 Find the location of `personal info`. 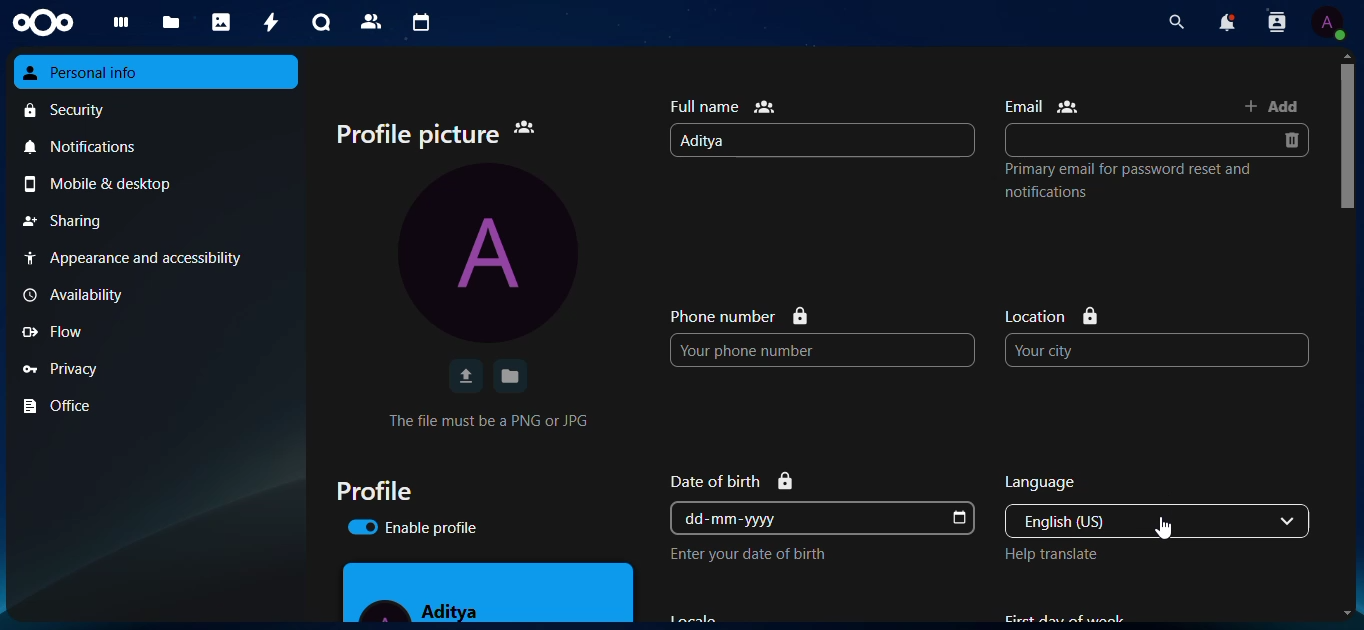

personal info is located at coordinates (98, 73).